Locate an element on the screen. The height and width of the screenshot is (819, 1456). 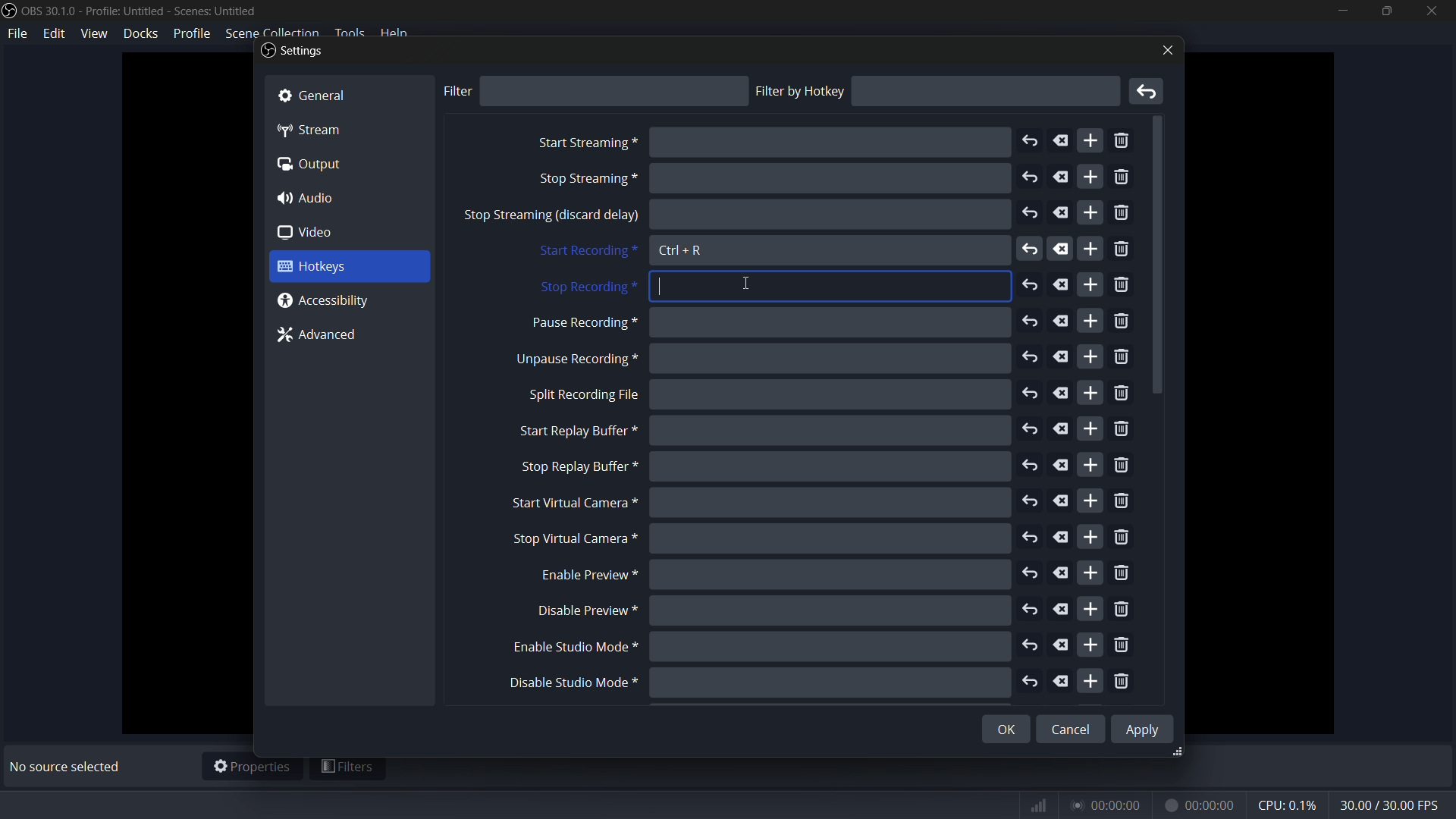
undo is located at coordinates (1030, 177).